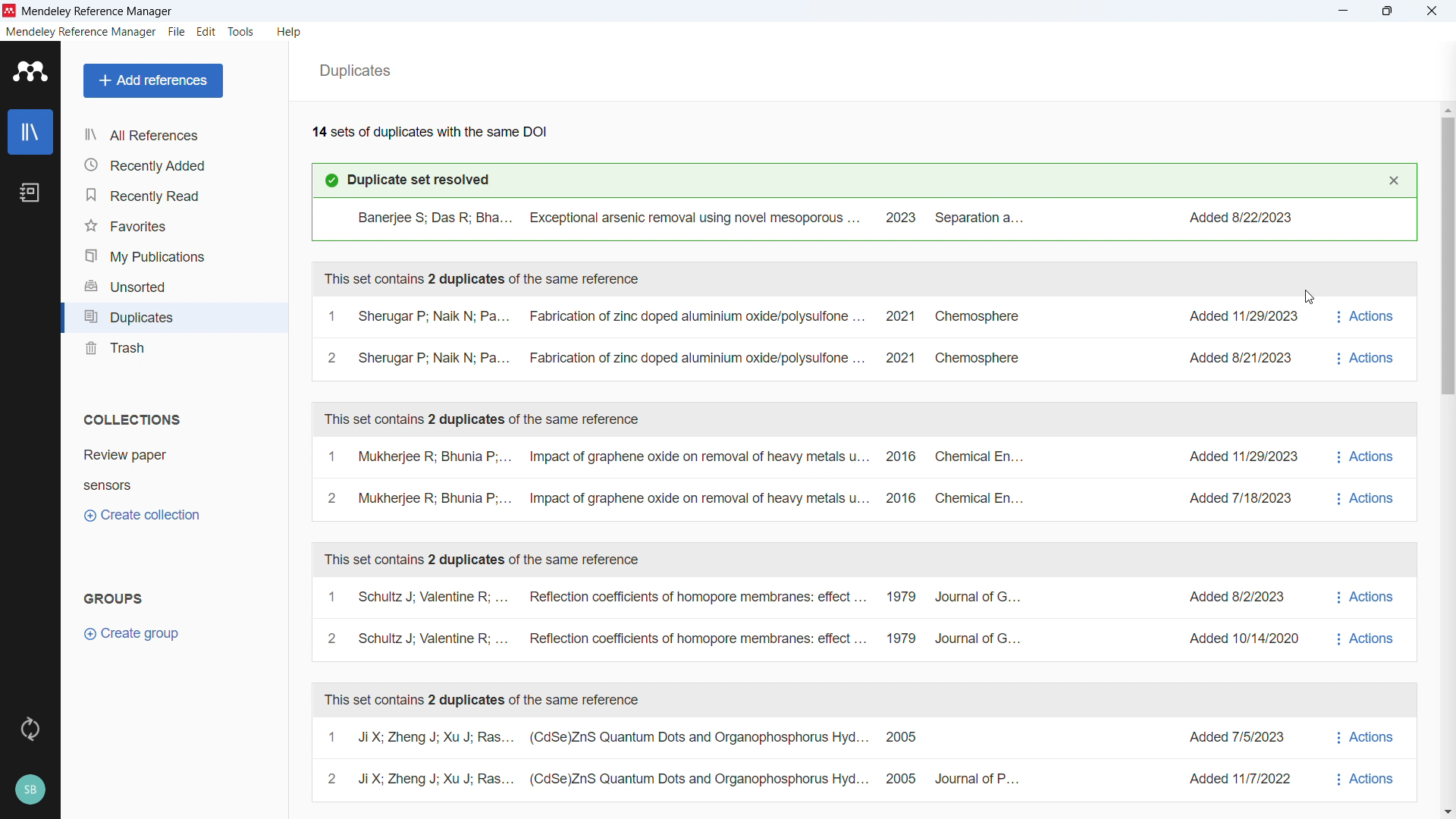 Image resolution: width=1456 pixels, height=819 pixels. I want to click on Duplicates , so click(354, 71).